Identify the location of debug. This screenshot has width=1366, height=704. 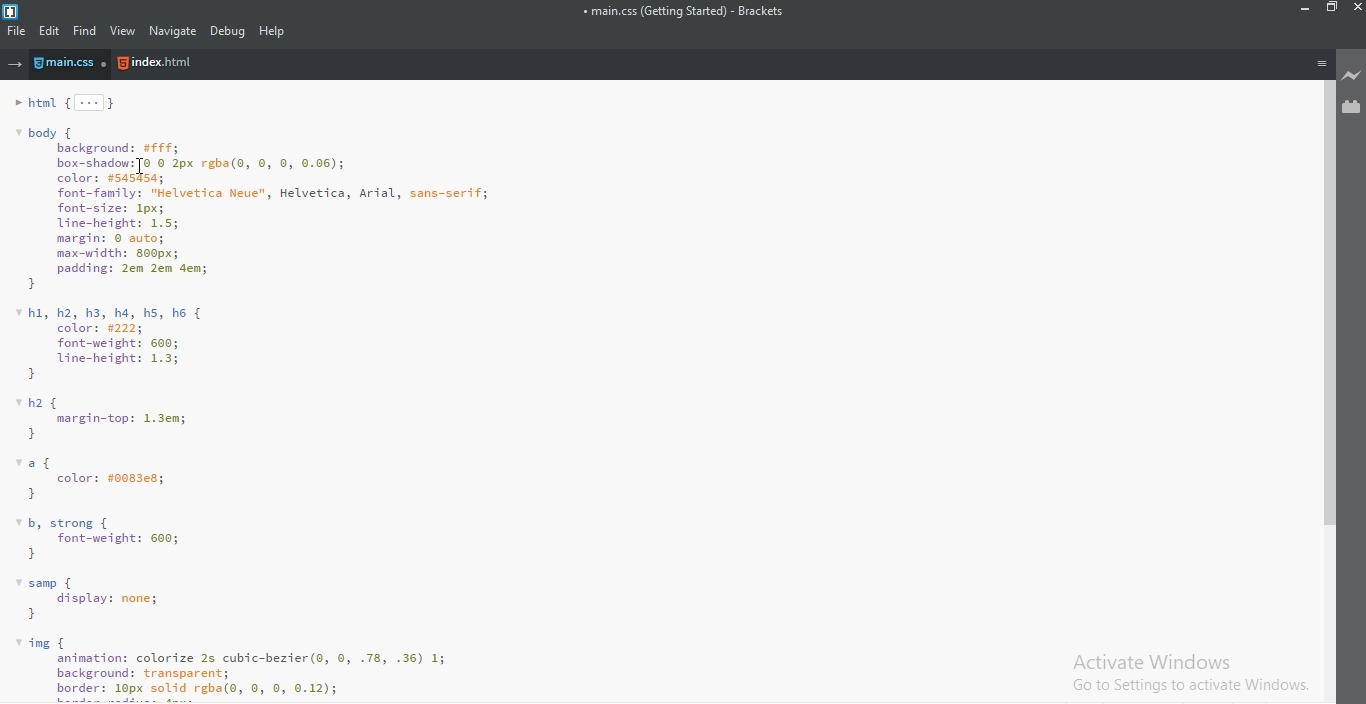
(228, 31).